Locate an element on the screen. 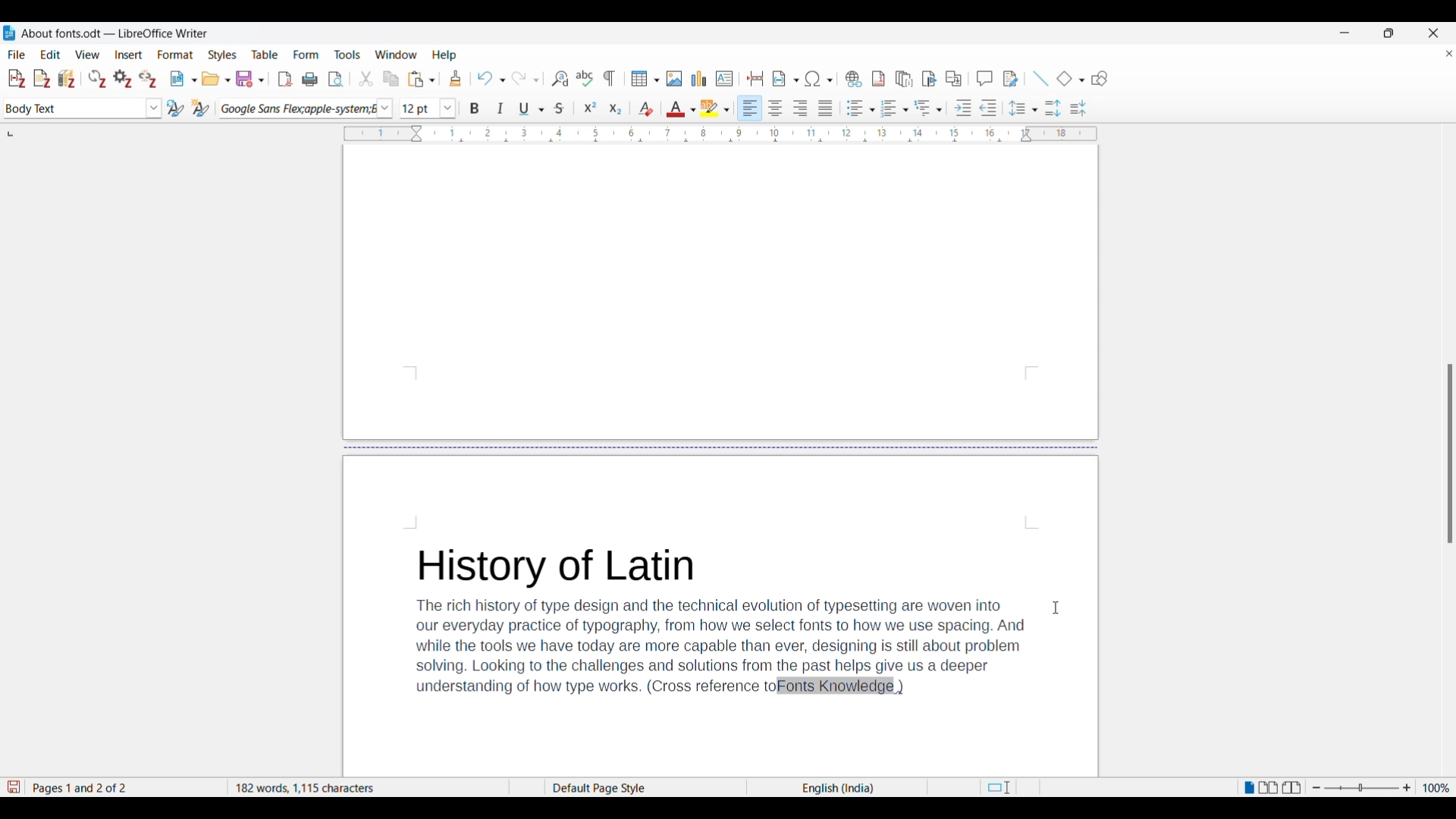 Image resolution: width=1456 pixels, height=819 pixels. Outline format options is located at coordinates (929, 108).